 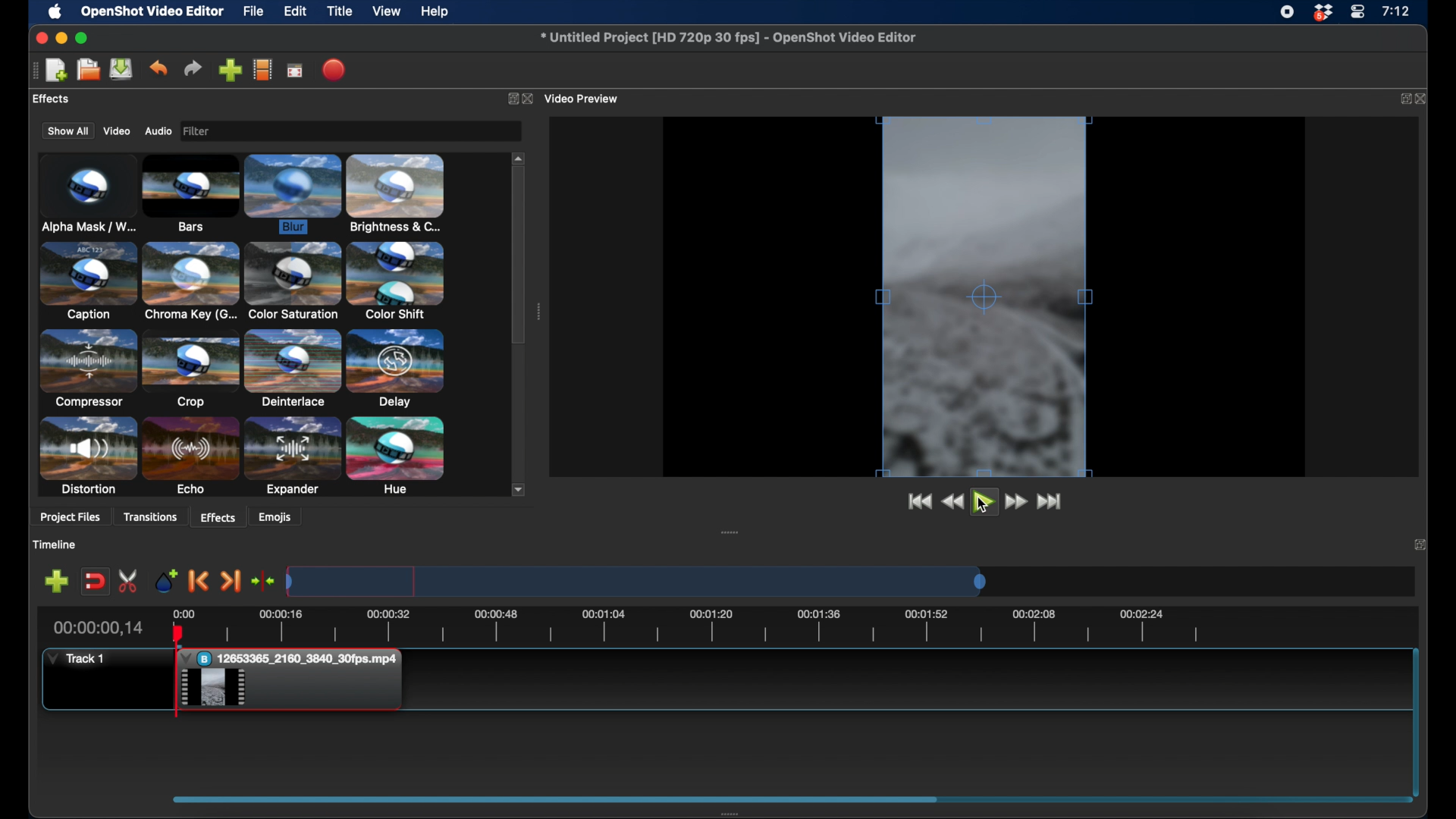 I want to click on 0.00, so click(x=183, y=613).